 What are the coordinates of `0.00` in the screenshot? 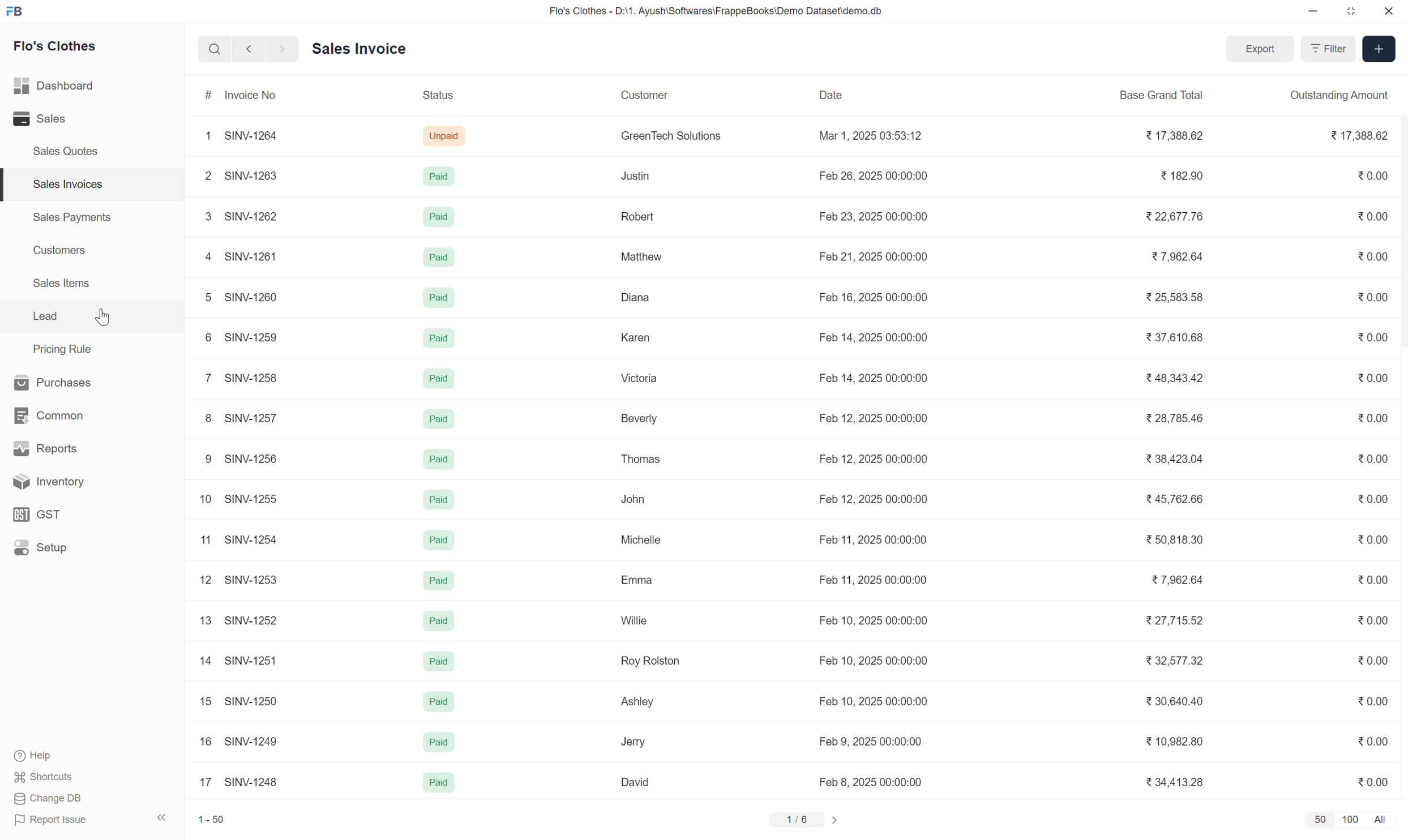 It's located at (1371, 736).